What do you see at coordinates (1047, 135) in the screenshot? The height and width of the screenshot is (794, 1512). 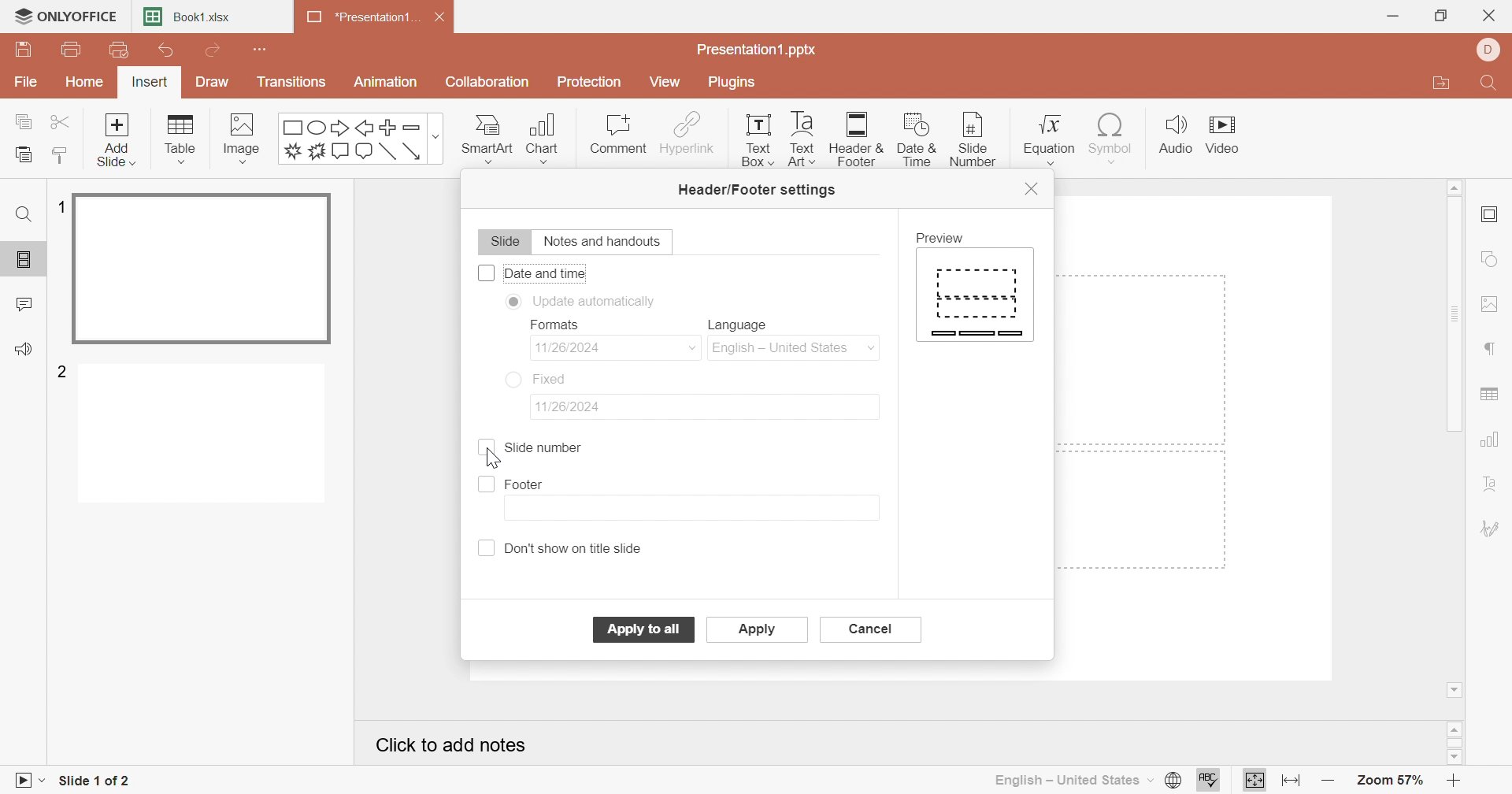 I see `Equation` at bounding box center [1047, 135].